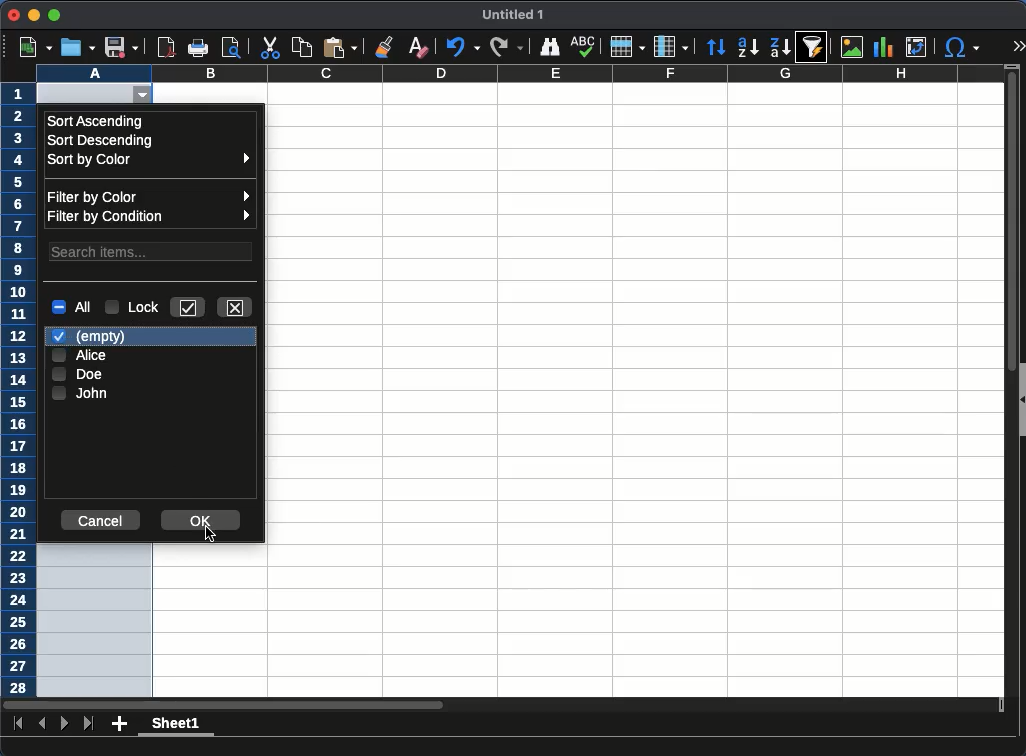  What do you see at coordinates (269, 47) in the screenshot?
I see `cut` at bounding box center [269, 47].